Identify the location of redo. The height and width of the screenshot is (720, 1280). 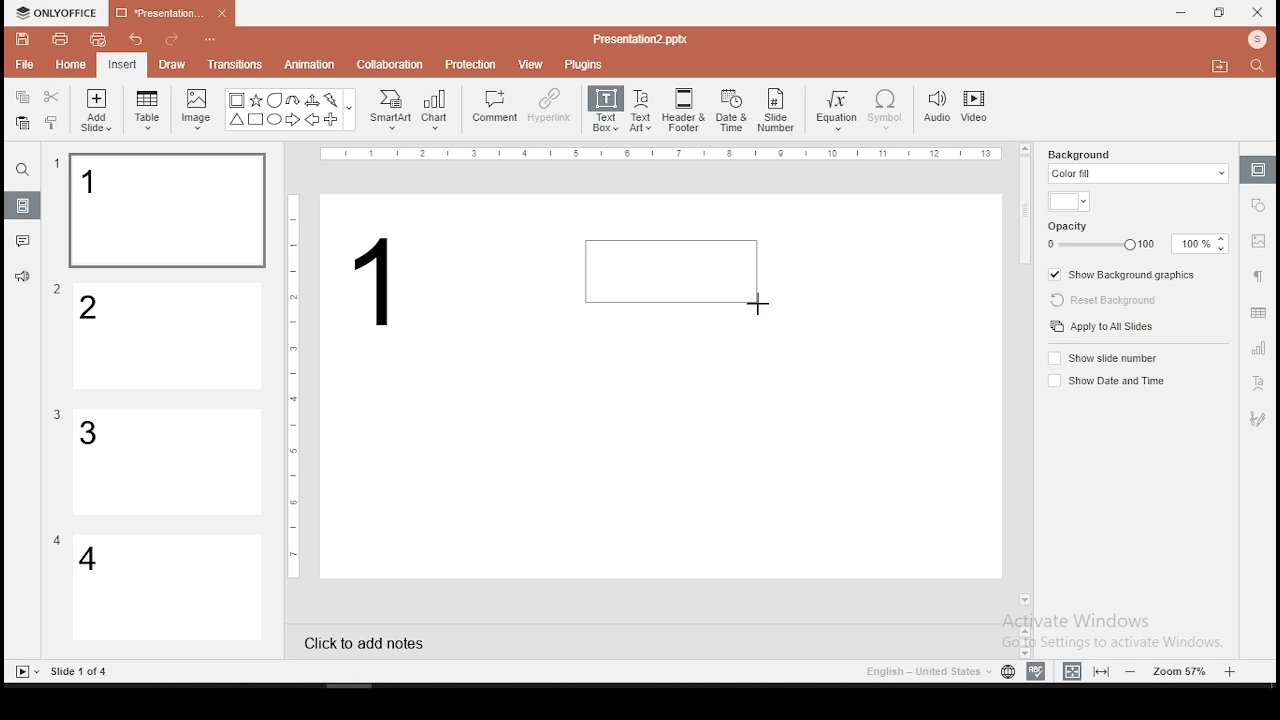
(172, 42).